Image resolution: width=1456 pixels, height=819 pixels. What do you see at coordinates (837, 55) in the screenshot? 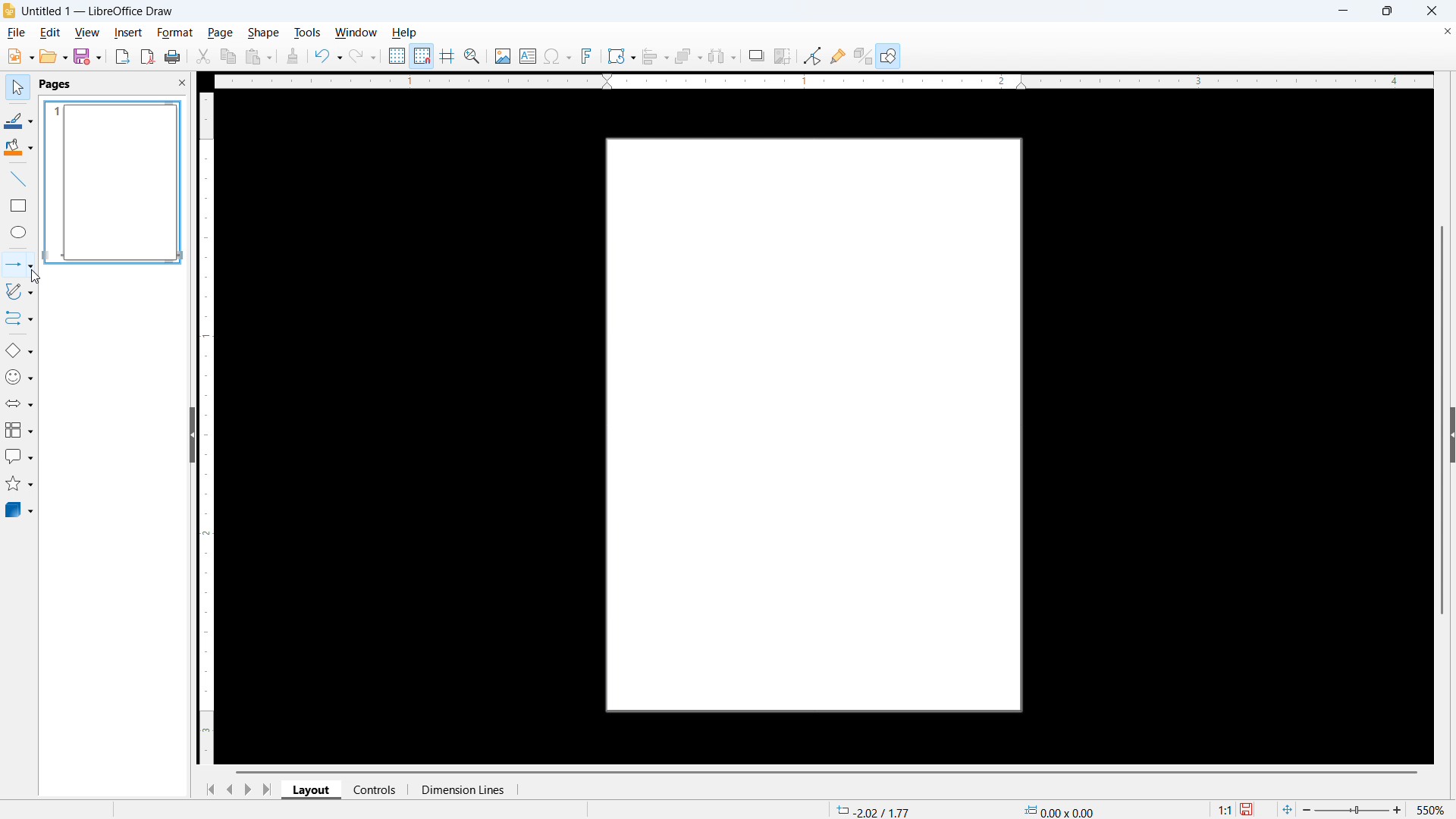
I see `show Glue Point functions ` at bounding box center [837, 55].